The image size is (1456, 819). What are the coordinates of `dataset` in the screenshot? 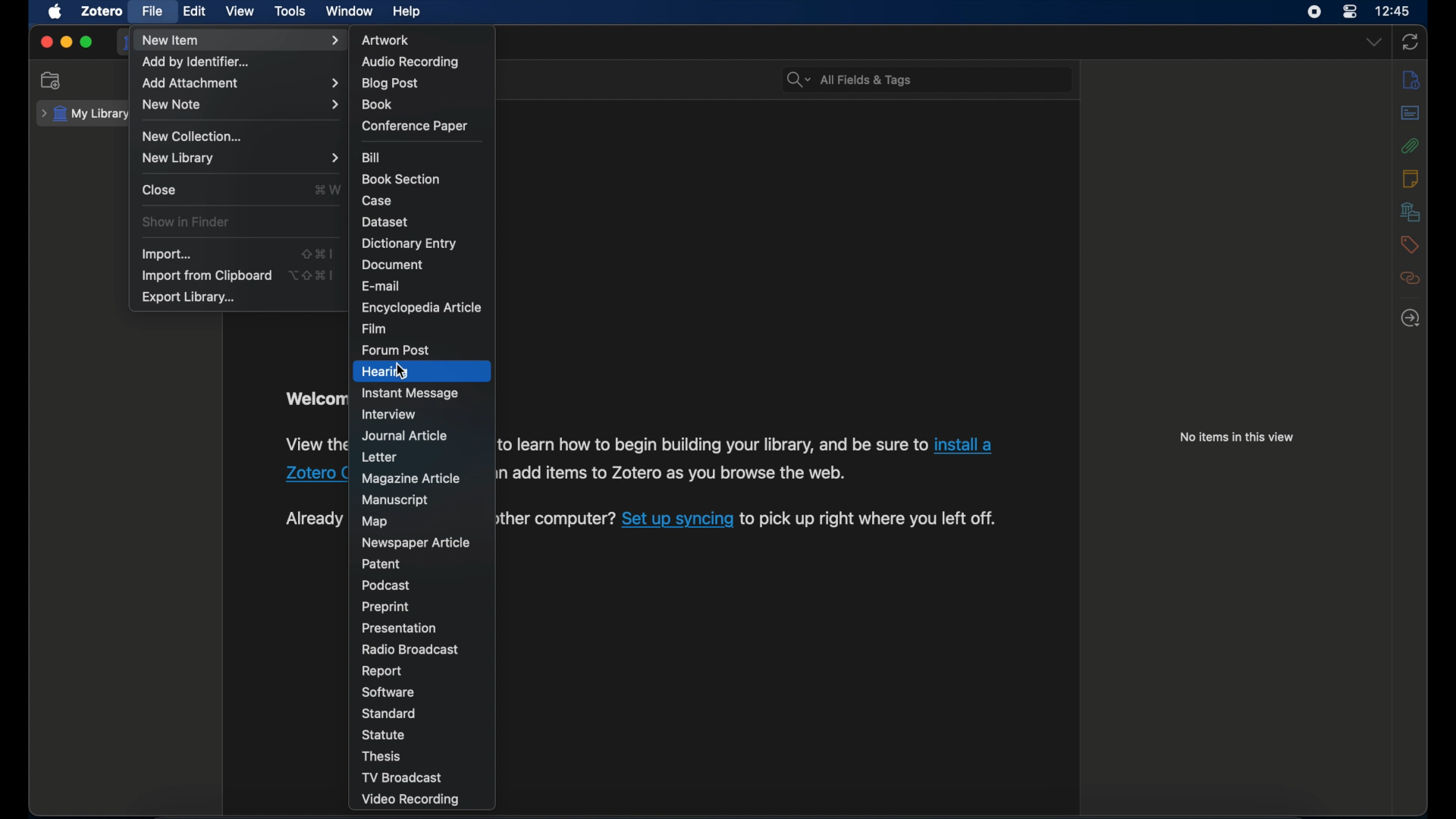 It's located at (386, 221).